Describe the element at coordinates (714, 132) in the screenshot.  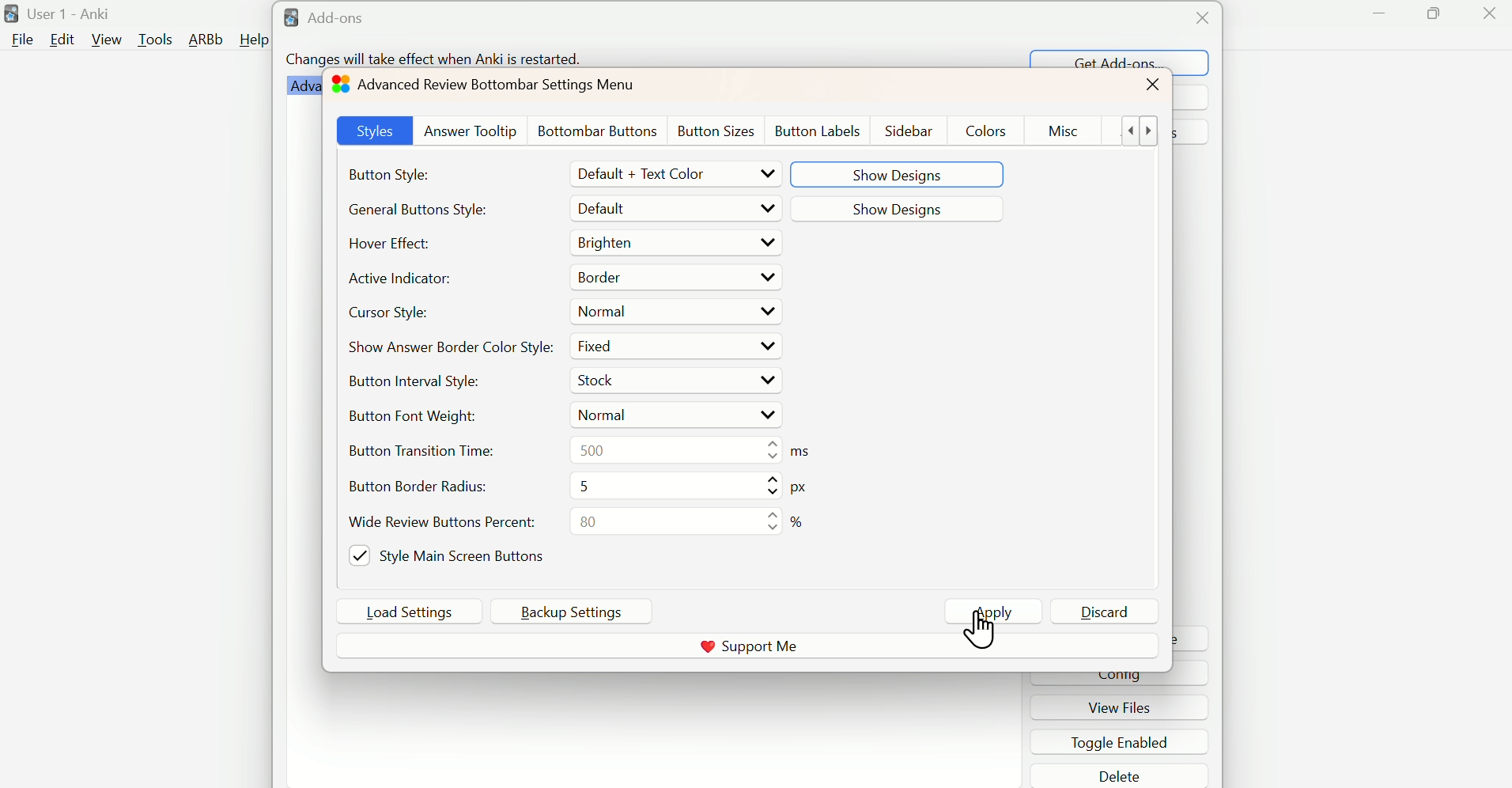
I see `Button Szes` at that location.